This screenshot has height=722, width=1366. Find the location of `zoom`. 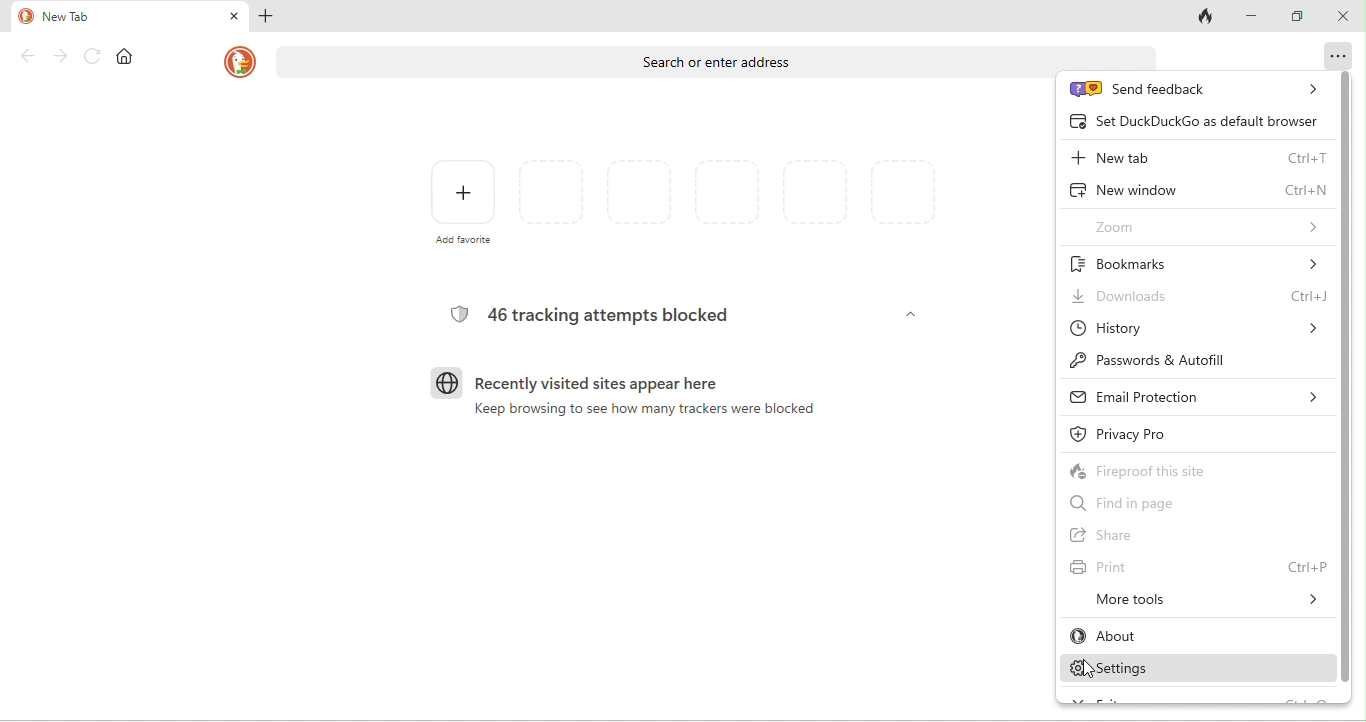

zoom is located at coordinates (1197, 226).